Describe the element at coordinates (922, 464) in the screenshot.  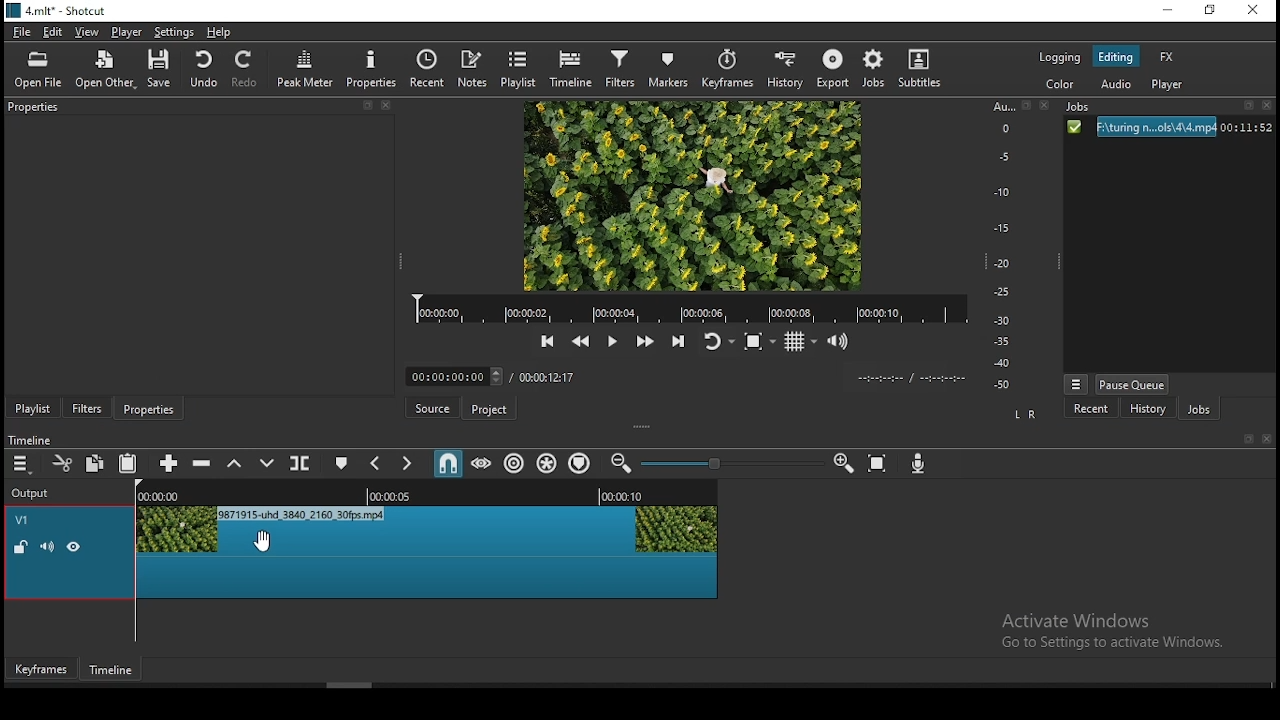
I see `record audio` at that location.